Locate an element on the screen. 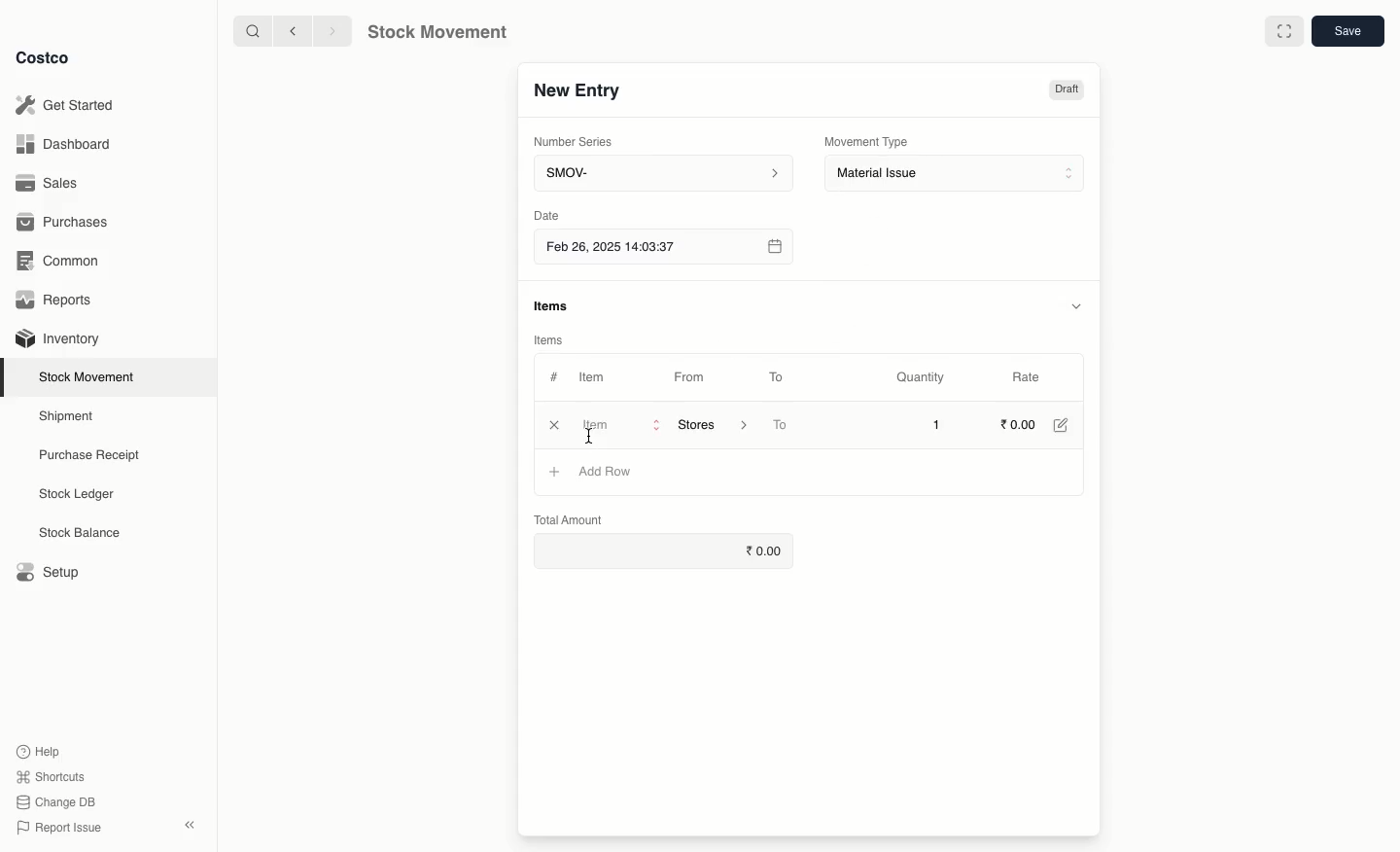 The image size is (1400, 852). Help is located at coordinates (40, 749).